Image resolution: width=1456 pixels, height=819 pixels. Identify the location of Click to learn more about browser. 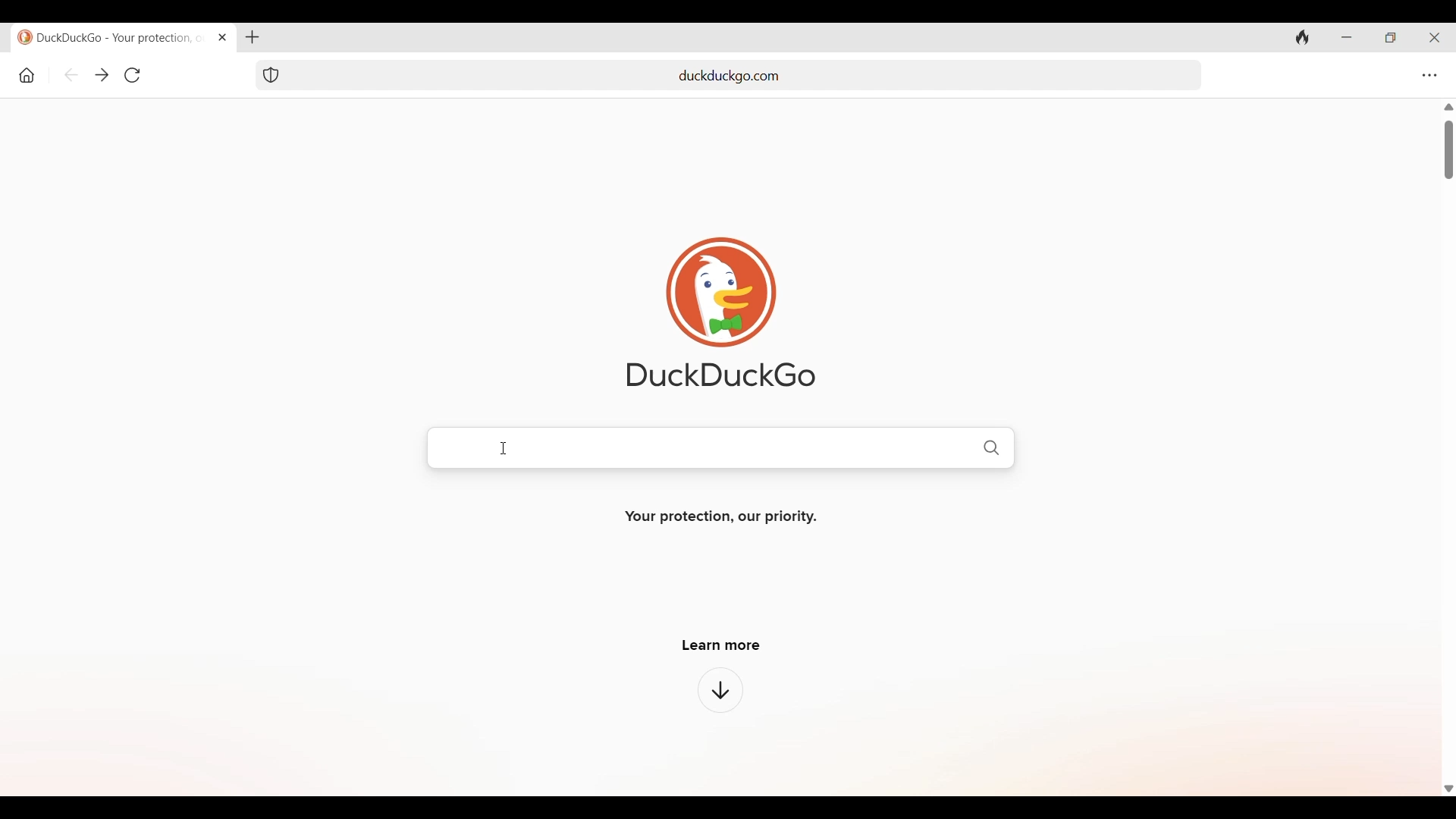
(720, 690).